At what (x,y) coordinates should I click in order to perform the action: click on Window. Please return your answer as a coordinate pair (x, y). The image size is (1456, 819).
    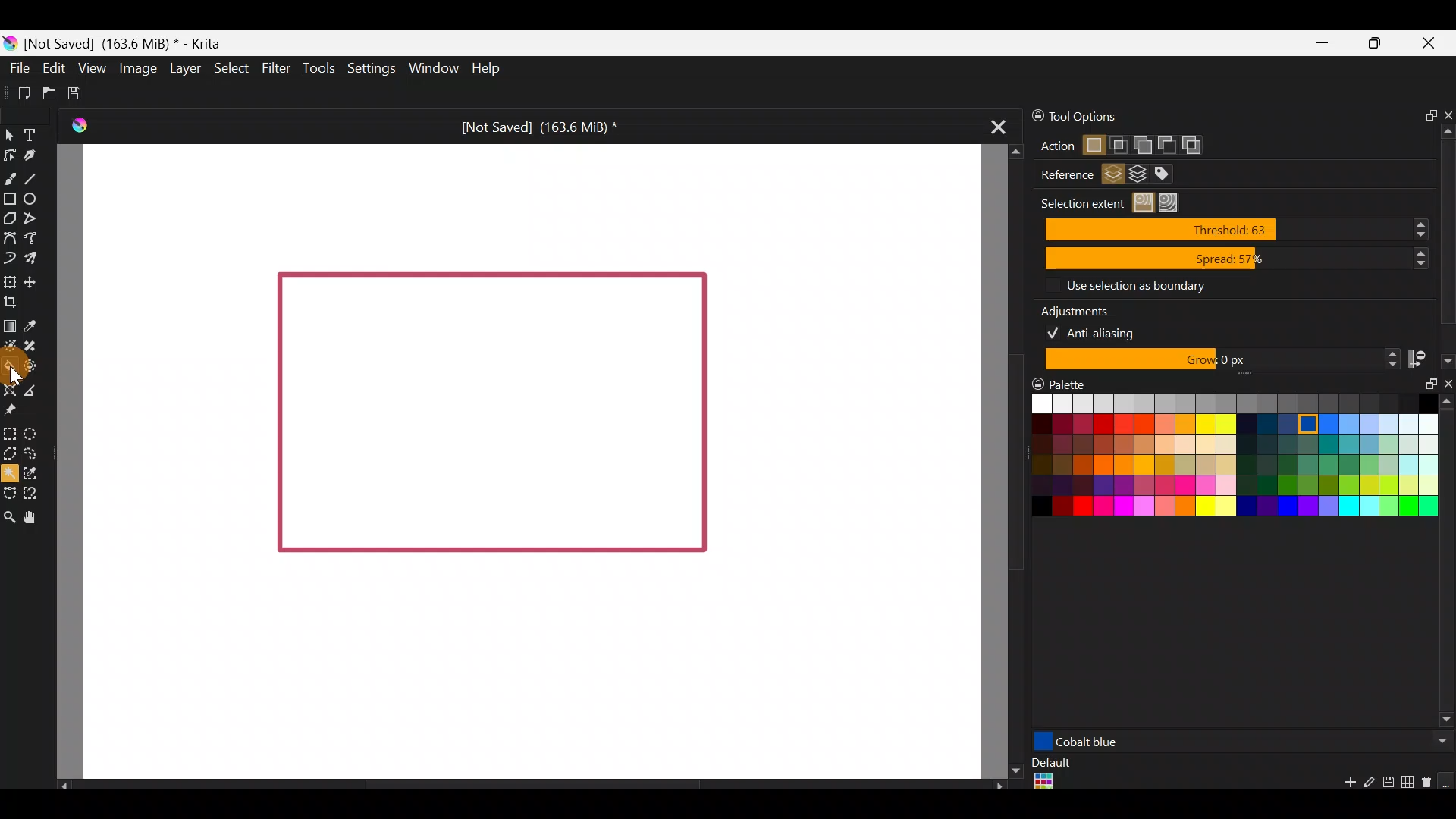
    Looking at the image, I should click on (431, 67).